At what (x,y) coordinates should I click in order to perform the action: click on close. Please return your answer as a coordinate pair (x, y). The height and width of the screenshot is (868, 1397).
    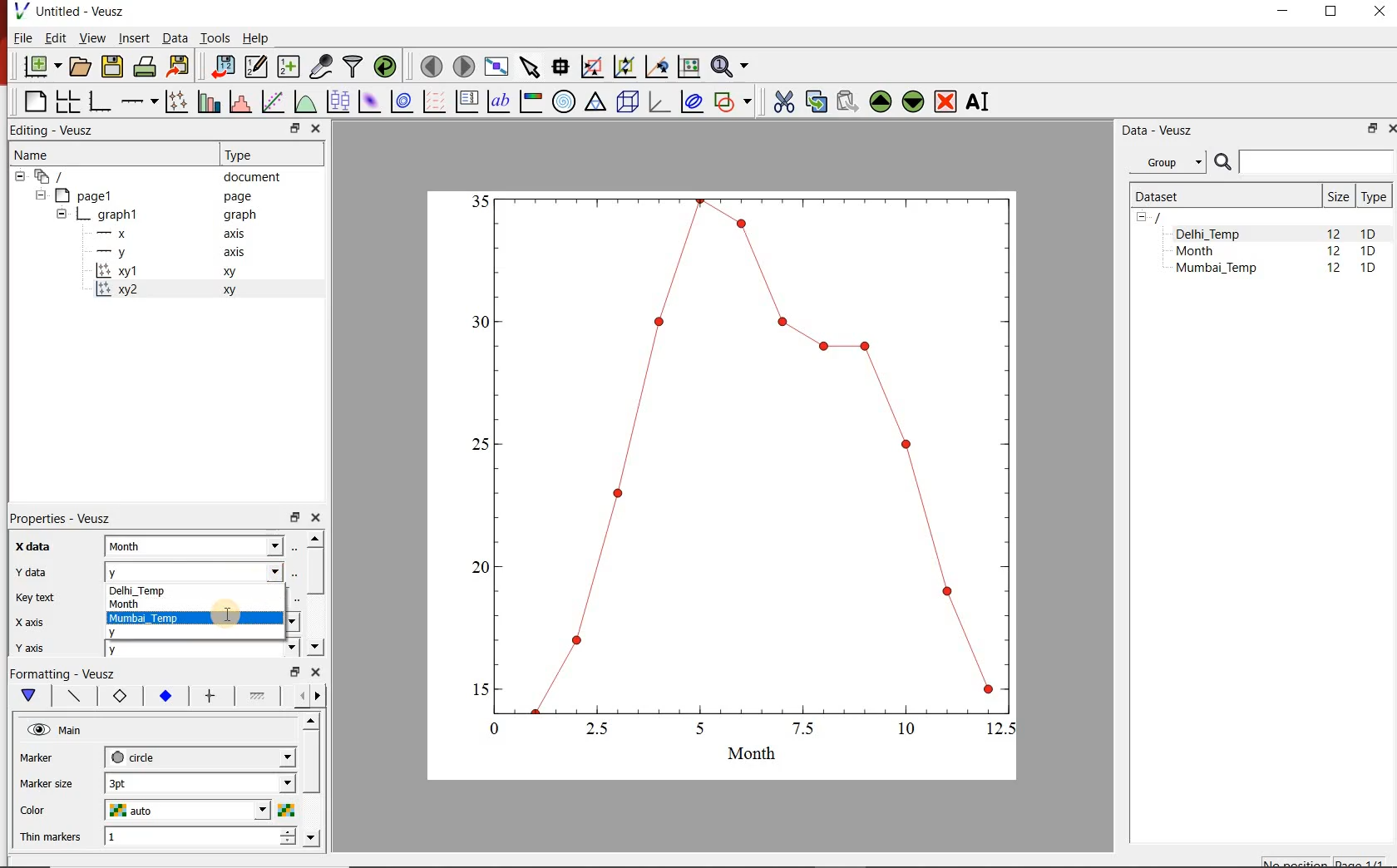
    Looking at the image, I should click on (314, 130).